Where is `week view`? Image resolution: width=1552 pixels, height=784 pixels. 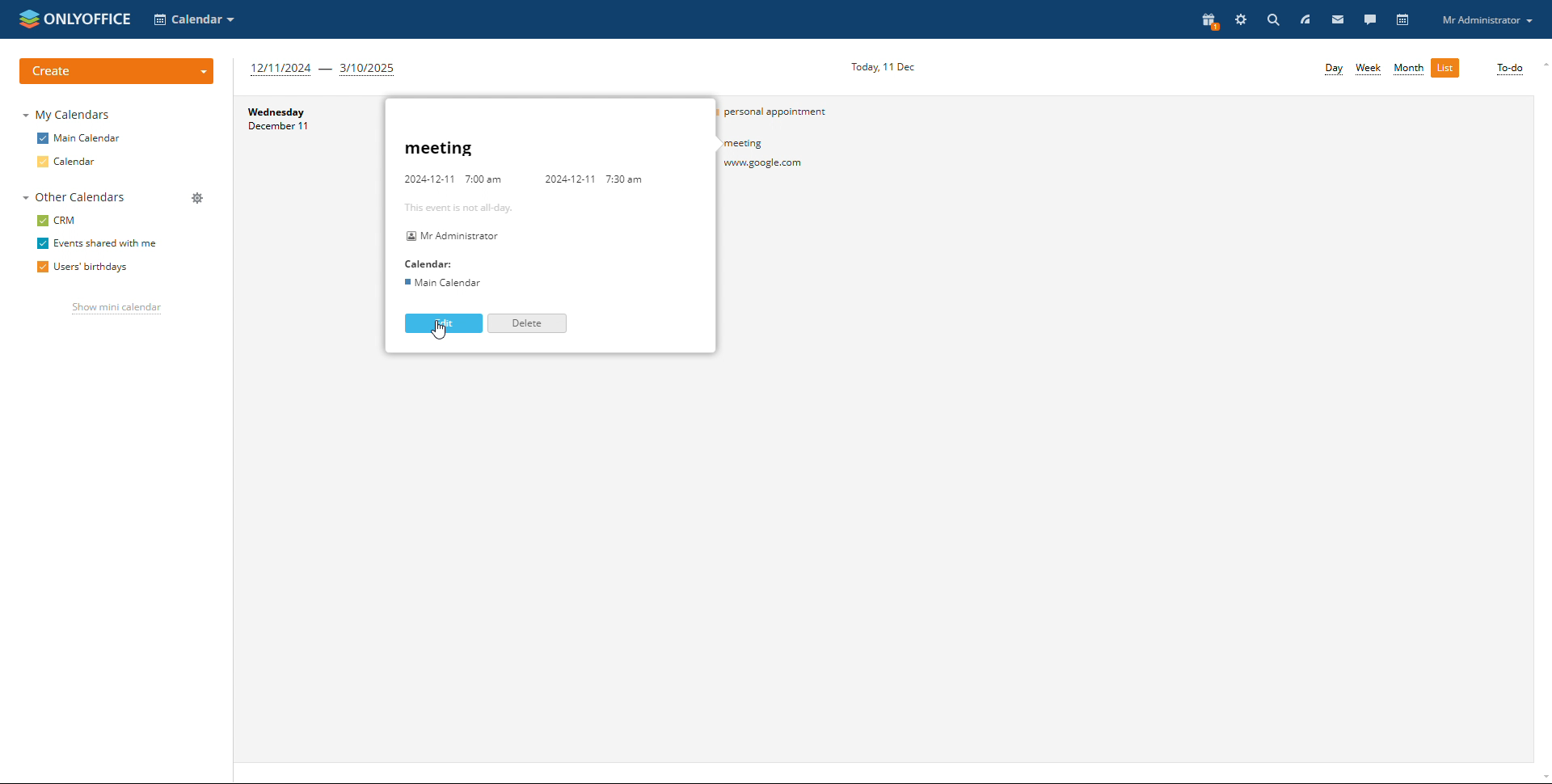 week view is located at coordinates (1368, 69).